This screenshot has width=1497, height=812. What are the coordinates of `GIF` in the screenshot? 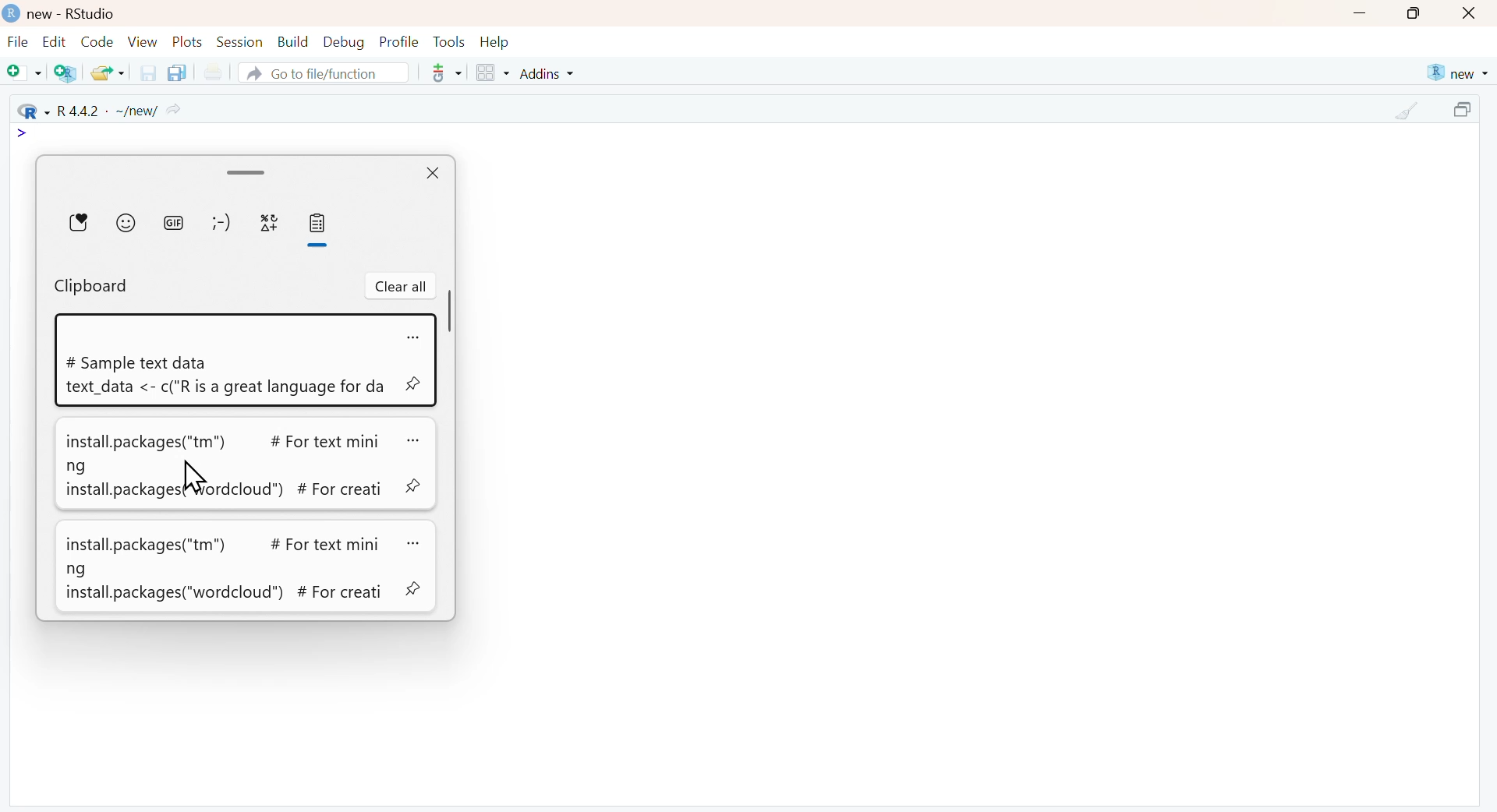 It's located at (173, 222).